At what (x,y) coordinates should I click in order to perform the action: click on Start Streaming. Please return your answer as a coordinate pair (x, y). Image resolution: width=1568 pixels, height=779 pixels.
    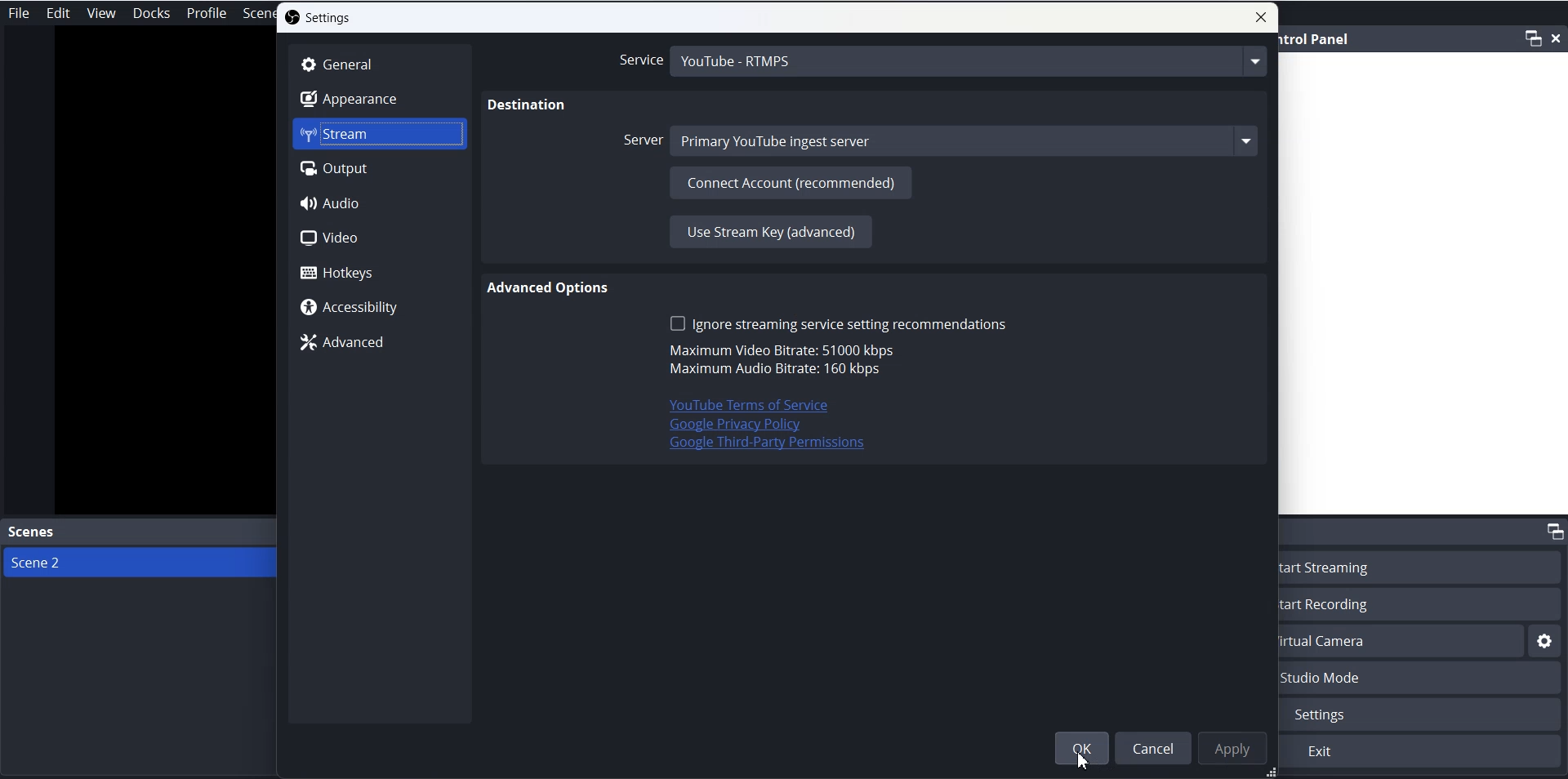
    Looking at the image, I should click on (1424, 566).